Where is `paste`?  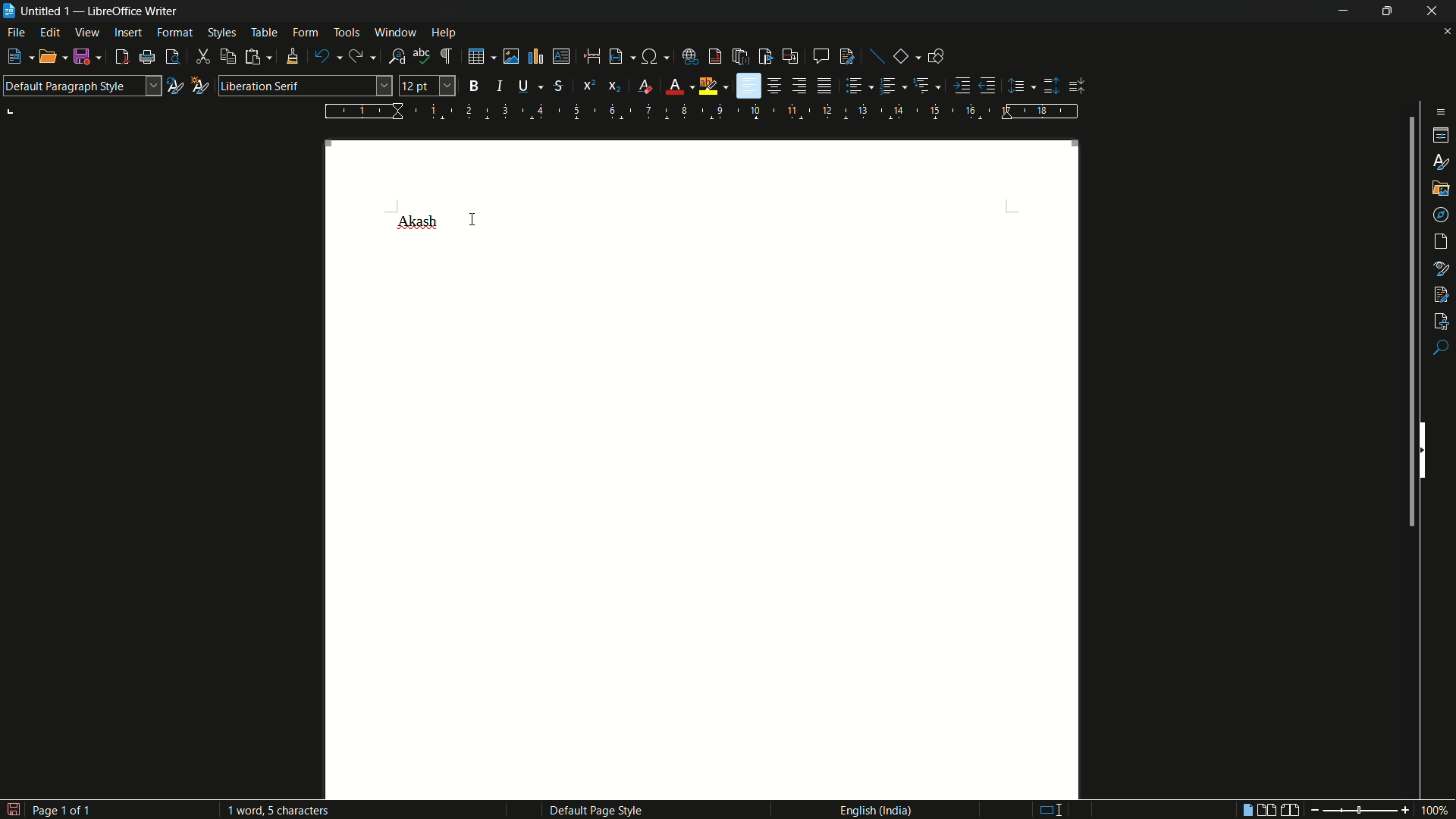 paste is located at coordinates (253, 56).